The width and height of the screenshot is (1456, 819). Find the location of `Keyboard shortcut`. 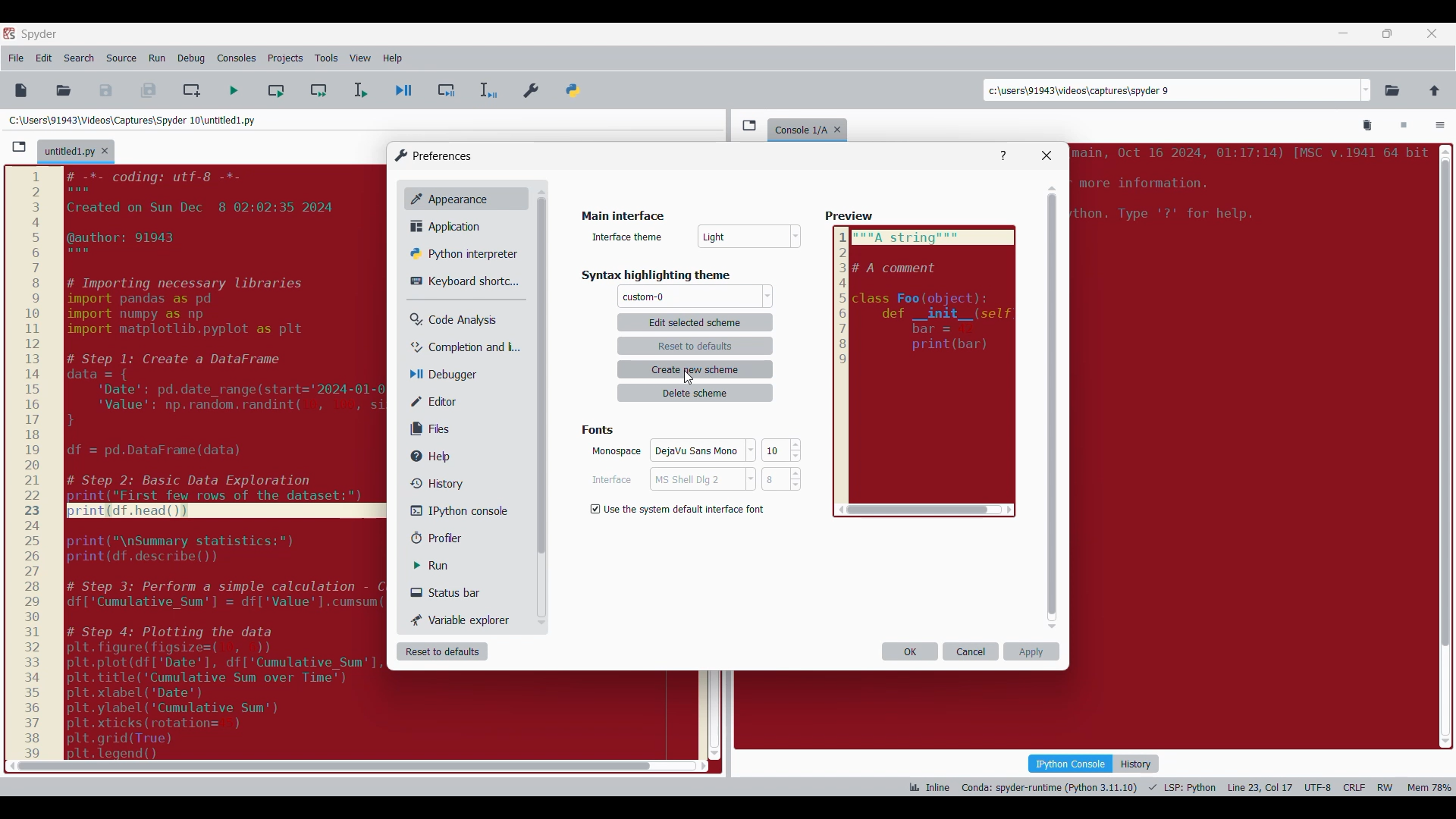

Keyboard shortcut is located at coordinates (466, 281).